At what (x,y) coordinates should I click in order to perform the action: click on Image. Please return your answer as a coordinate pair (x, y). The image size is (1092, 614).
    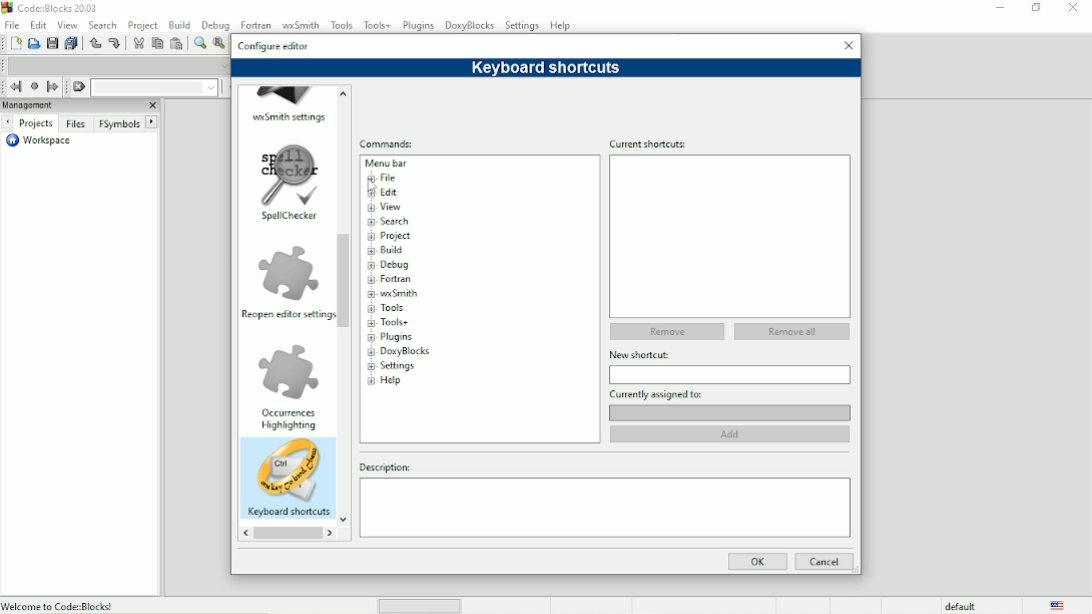
    Looking at the image, I should click on (288, 94).